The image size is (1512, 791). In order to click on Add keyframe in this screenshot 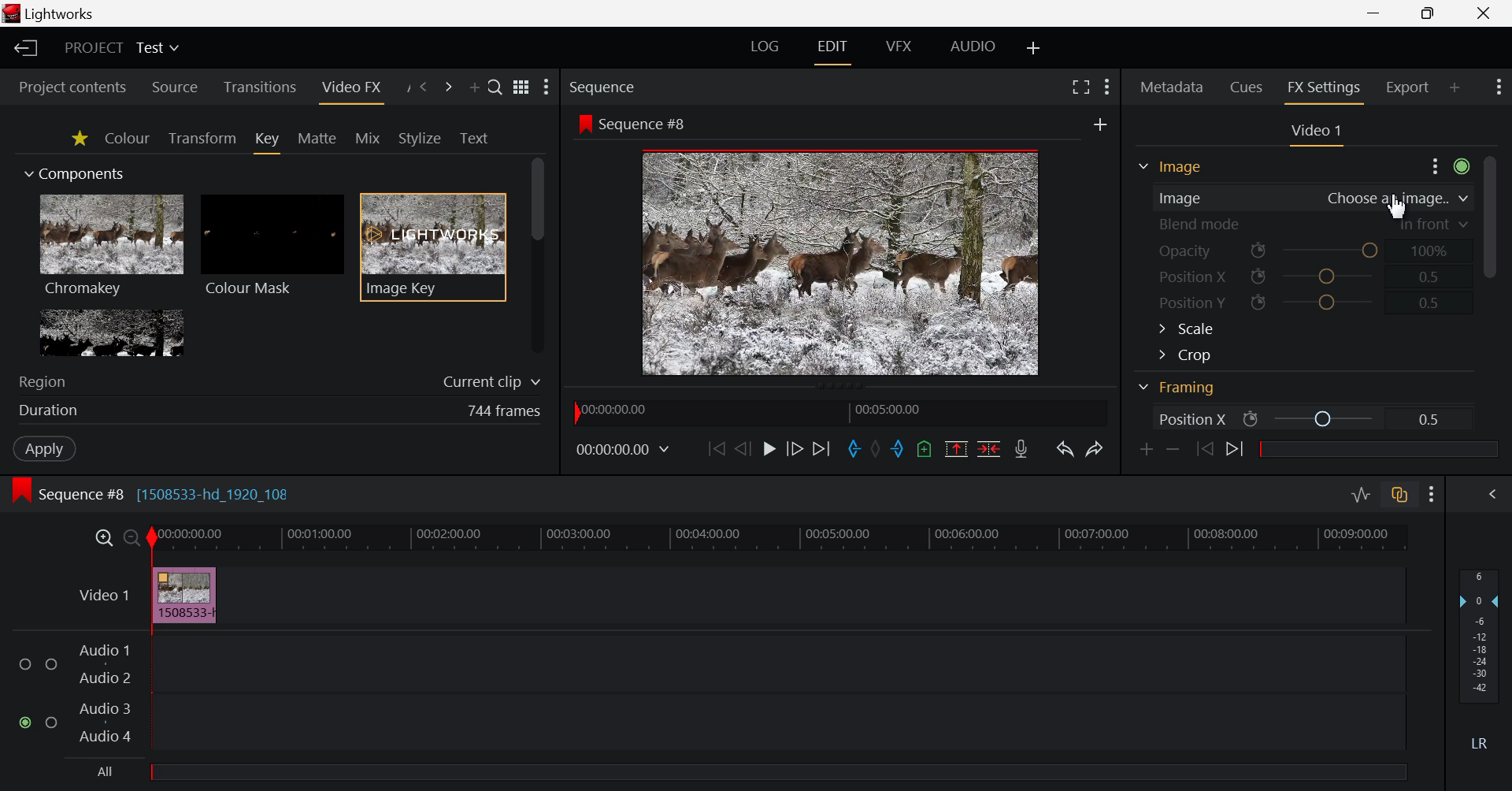, I will do `click(1145, 448)`.